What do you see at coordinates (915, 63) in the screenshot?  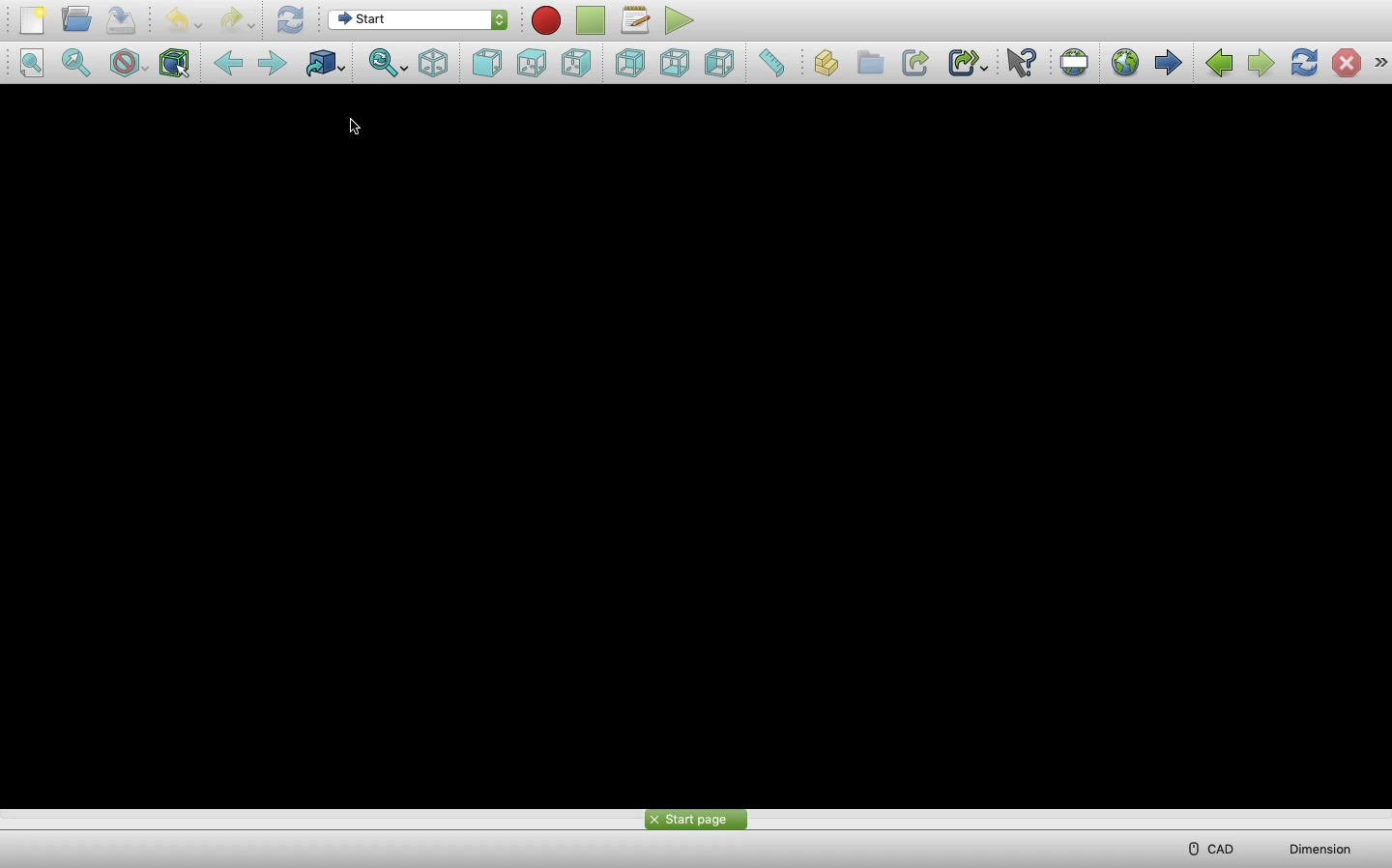 I see `Make Link` at bounding box center [915, 63].